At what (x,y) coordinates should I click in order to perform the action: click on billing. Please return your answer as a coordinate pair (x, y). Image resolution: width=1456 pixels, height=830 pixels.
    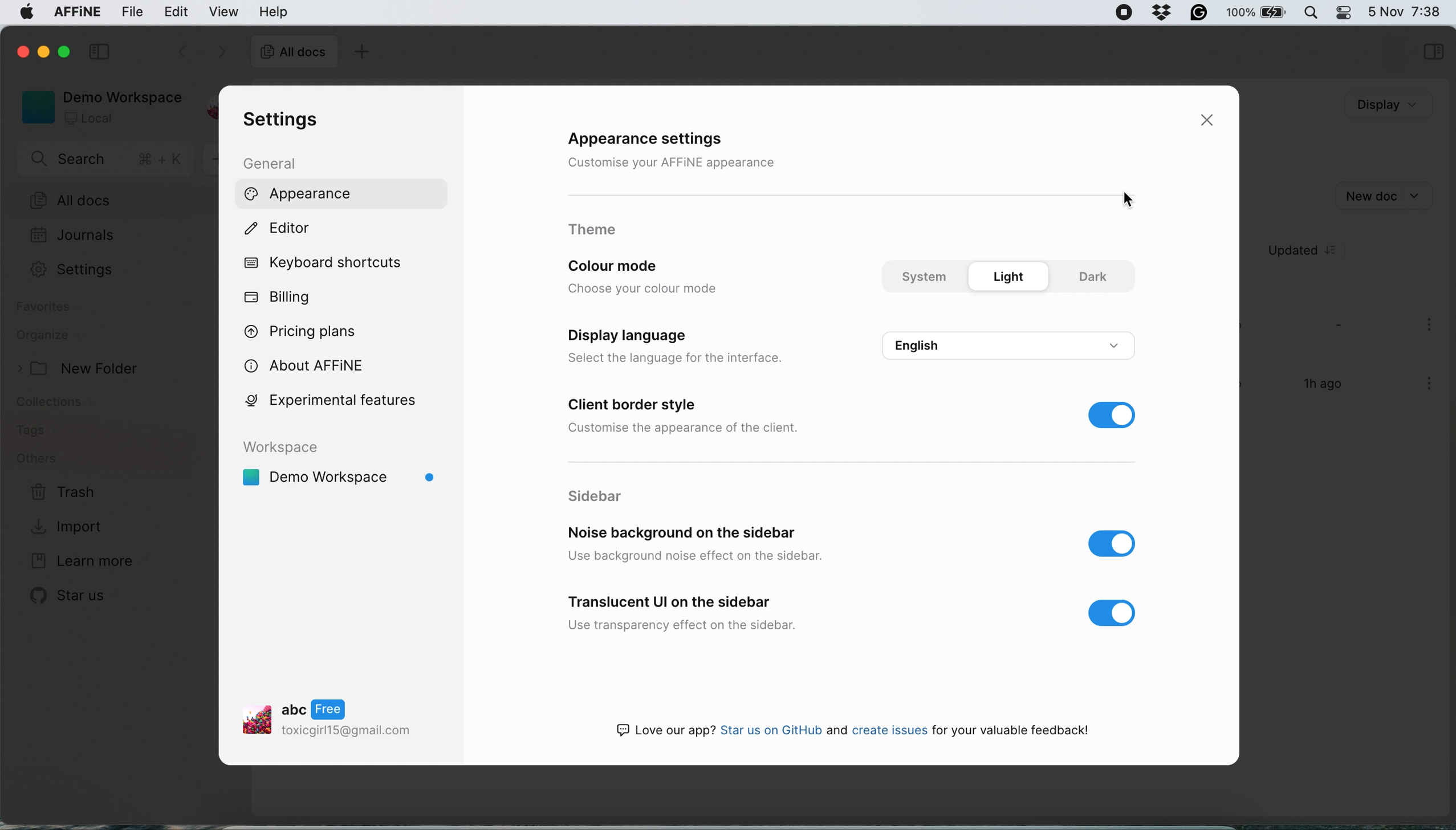
    Looking at the image, I should click on (280, 297).